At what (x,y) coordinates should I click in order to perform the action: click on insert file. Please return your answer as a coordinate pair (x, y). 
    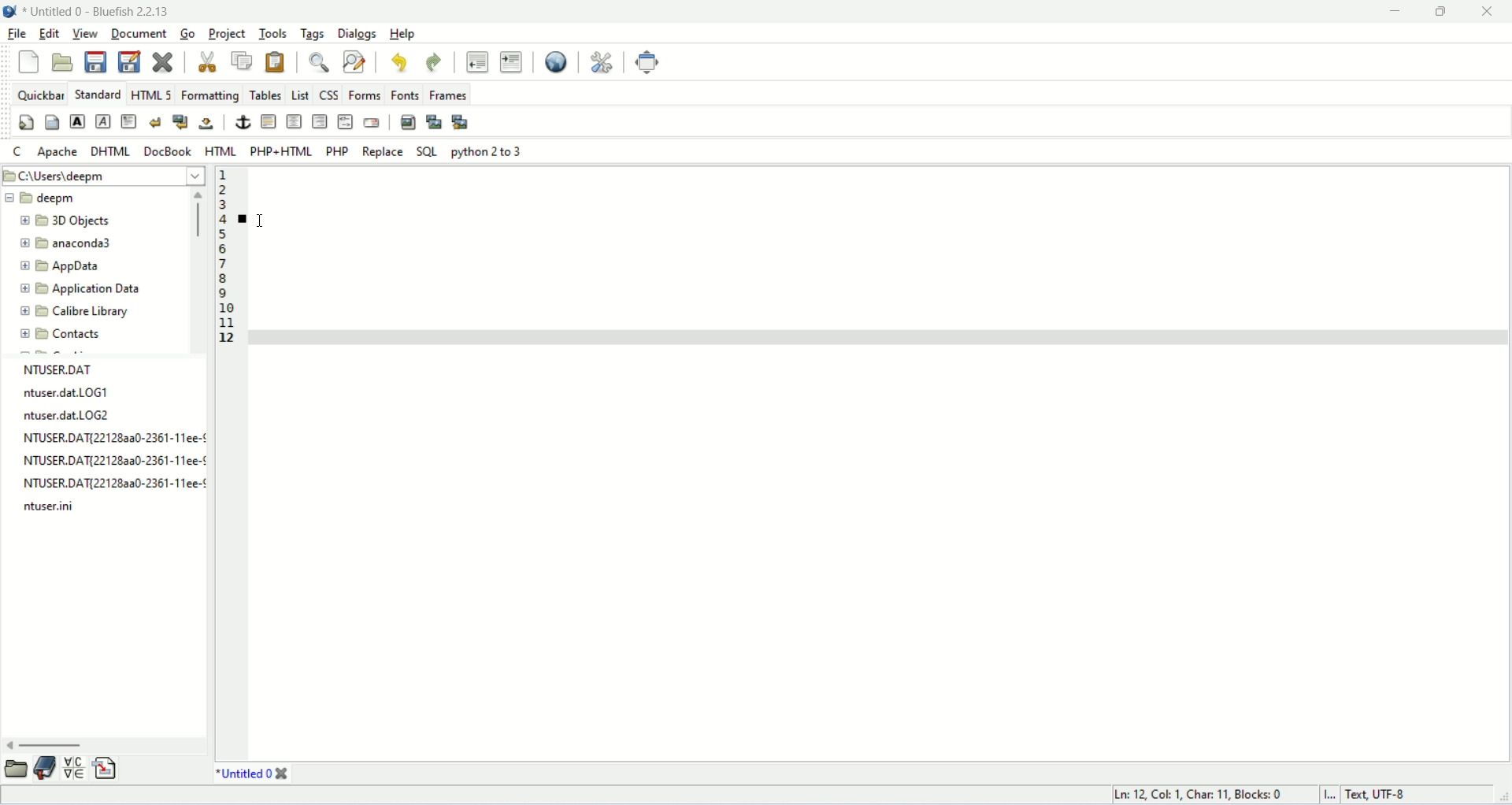
    Looking at the image, I should click on (106, 770).